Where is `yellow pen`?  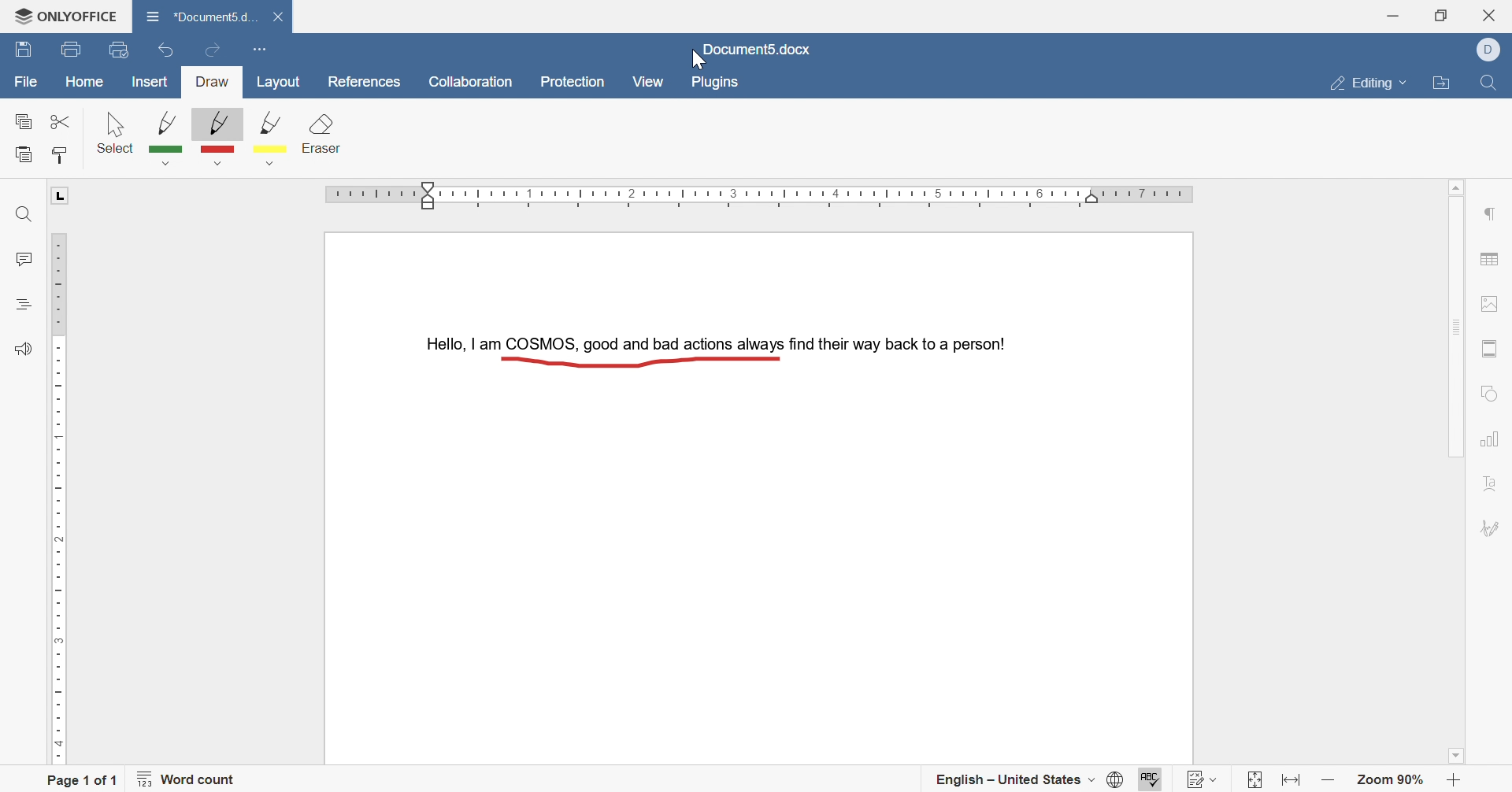 yellow pen is located at coordinates (276, 141).